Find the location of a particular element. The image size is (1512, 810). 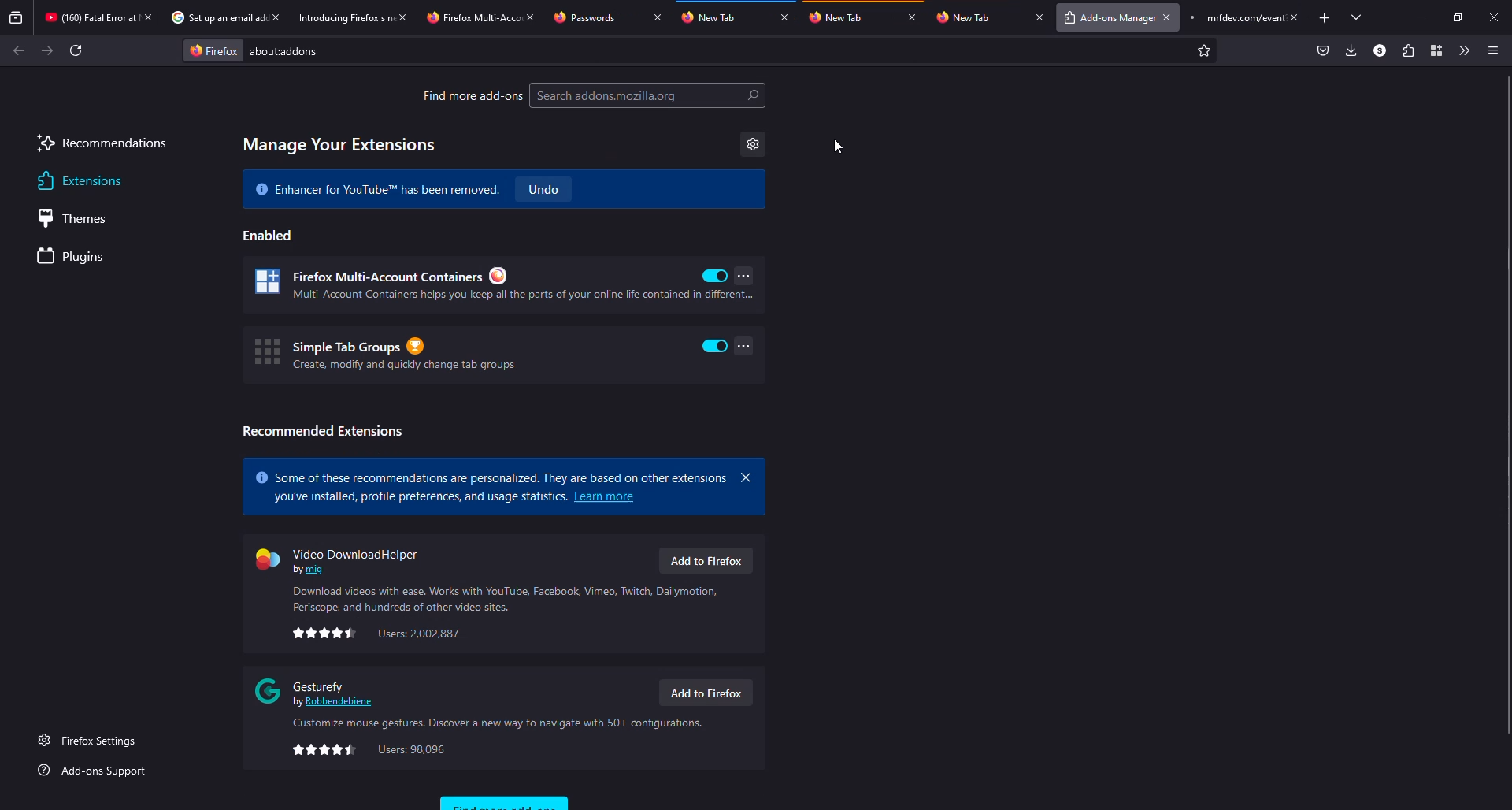

Close is located at coordinates (148, 17).